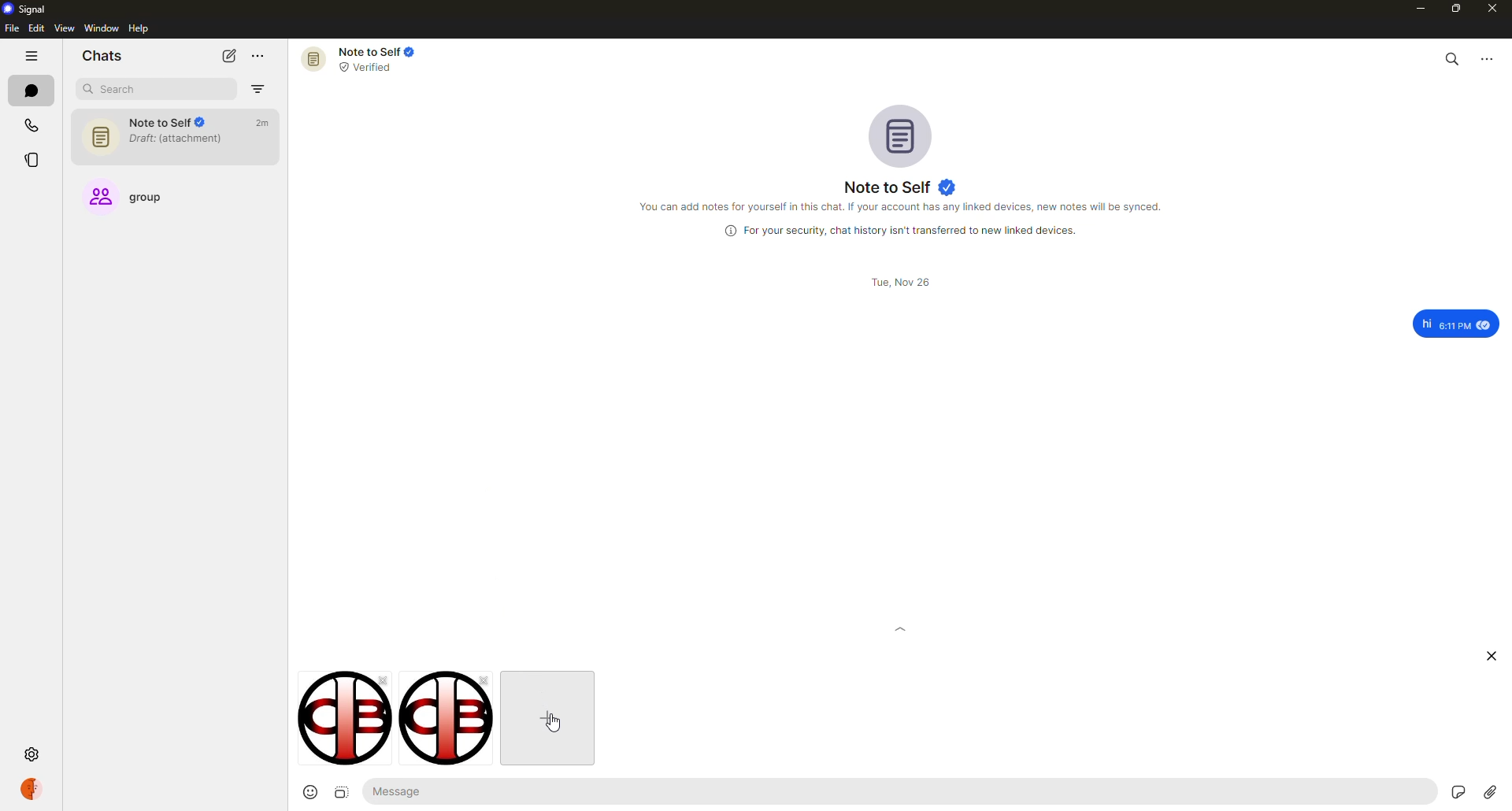 The image size is (1512, 811). Describe the element at coordinates (30, 159) in the screenshot. I see `stories` at that location.